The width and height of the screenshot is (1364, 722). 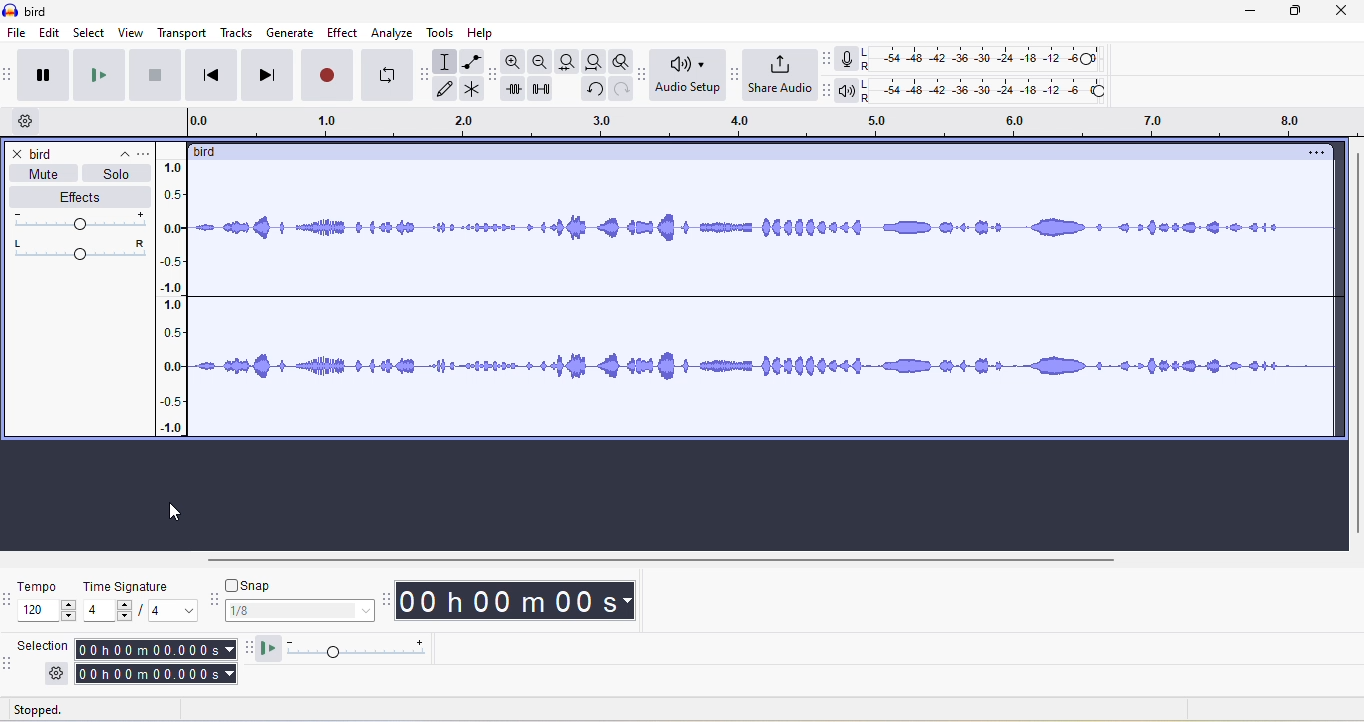 I want to click on select, so click(x=91, y=33).